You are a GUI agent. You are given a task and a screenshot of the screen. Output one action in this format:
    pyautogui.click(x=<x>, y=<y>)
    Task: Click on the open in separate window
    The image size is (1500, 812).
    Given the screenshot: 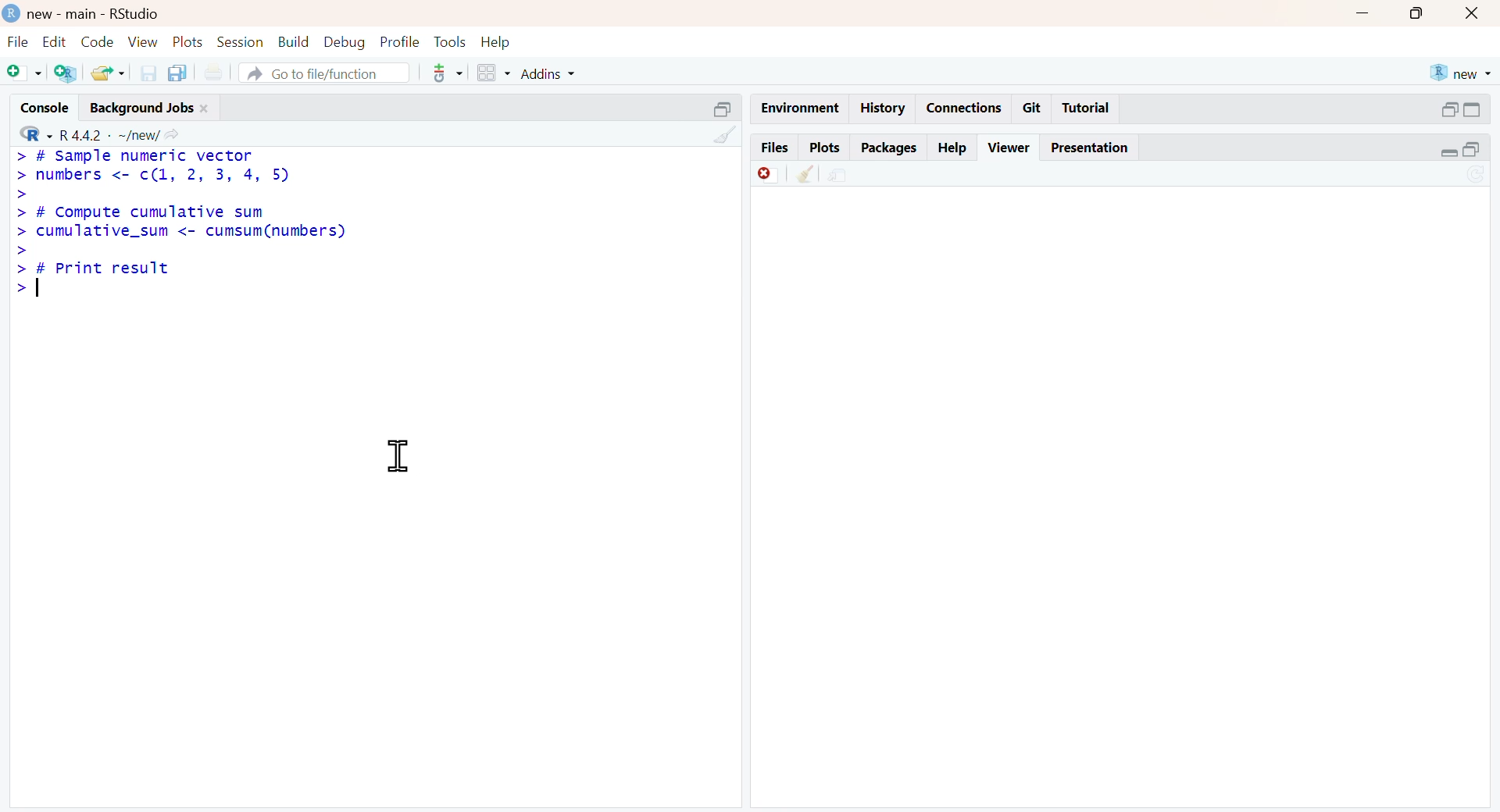 What is the action you would take?
    pyautogui.click(x=1448, y=109)
    